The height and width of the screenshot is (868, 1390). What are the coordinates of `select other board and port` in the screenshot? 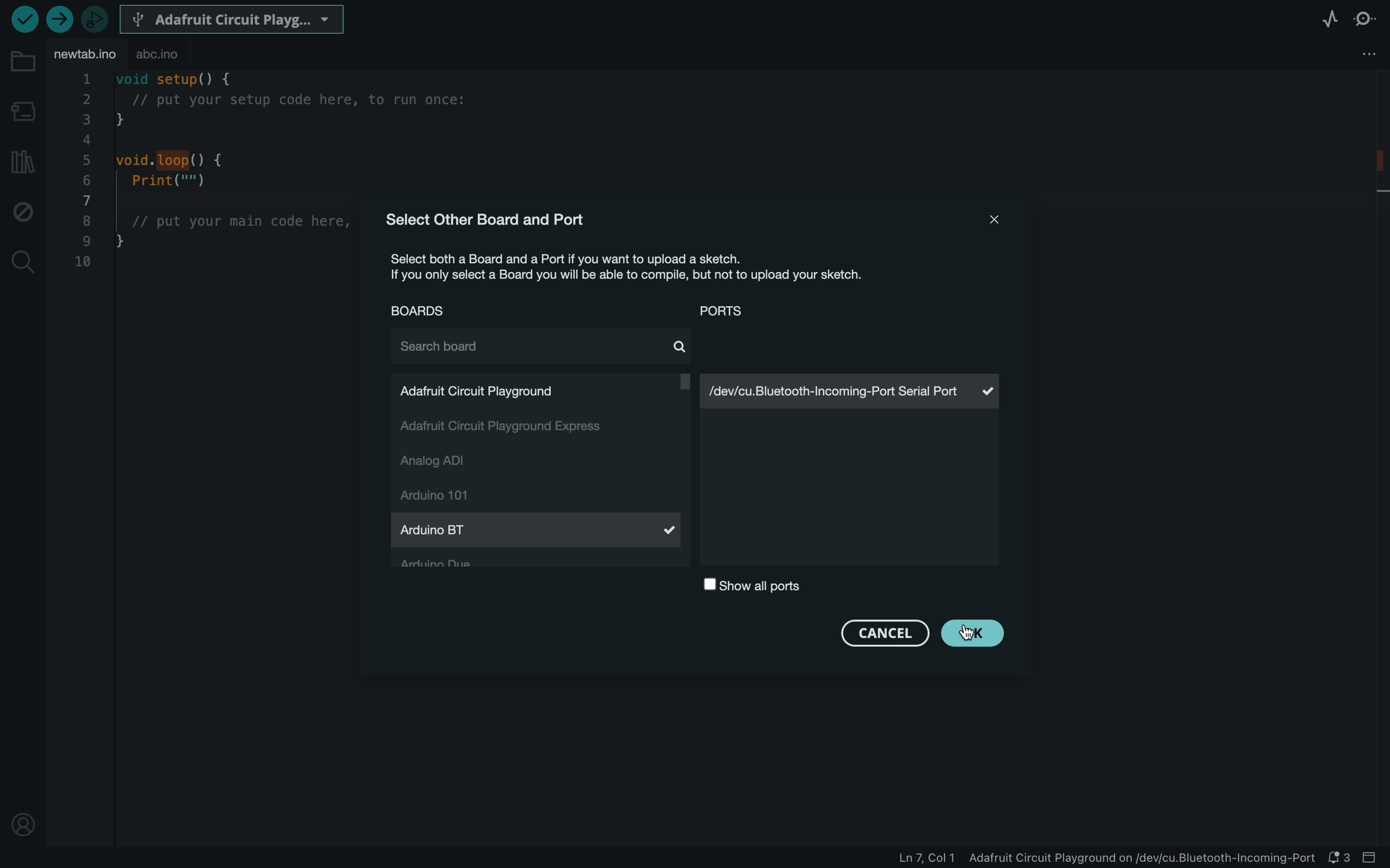 It's located at (501, 220).